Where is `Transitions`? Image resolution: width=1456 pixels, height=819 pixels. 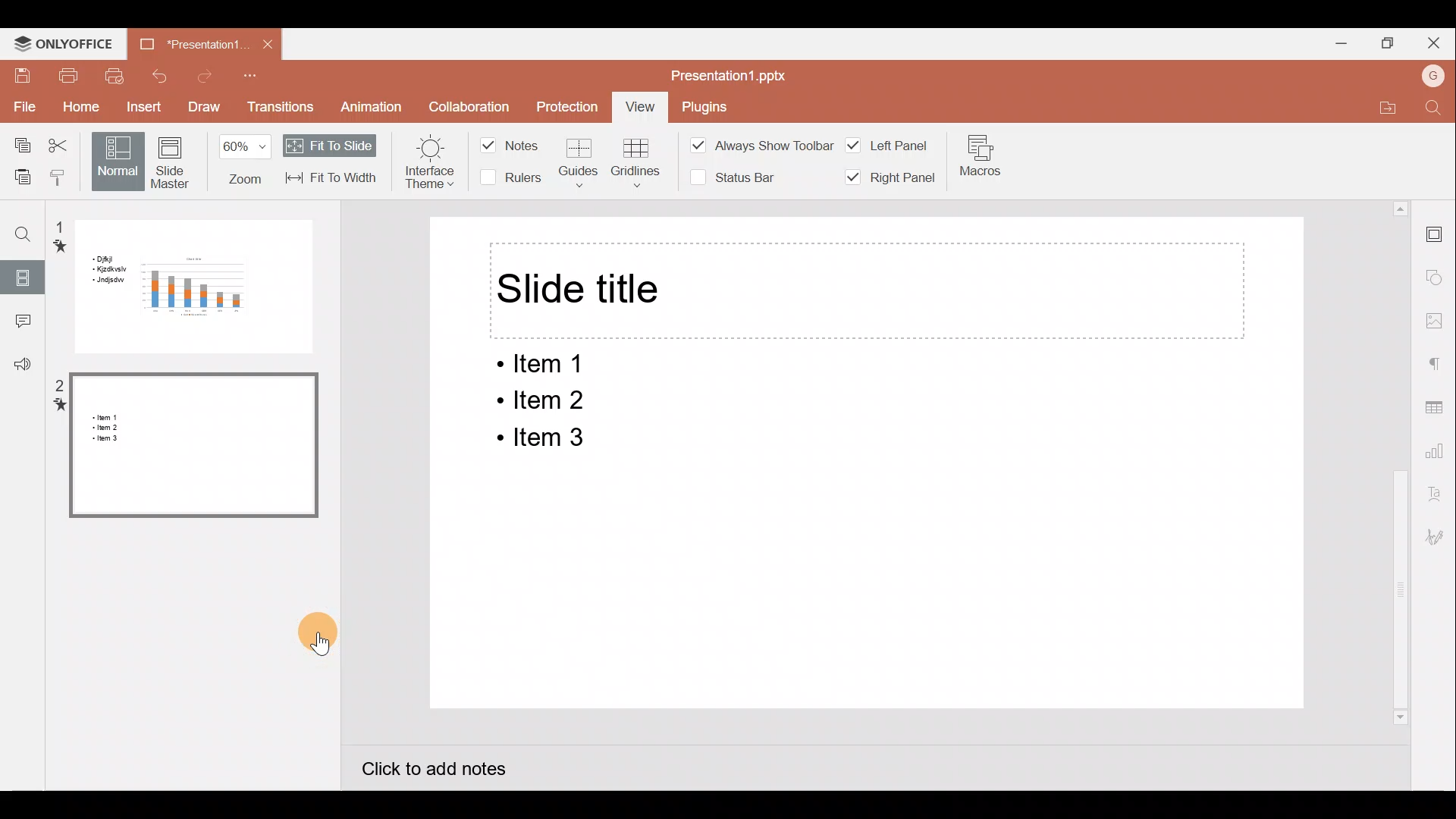
Transitions is located at coordinates (279, 108).